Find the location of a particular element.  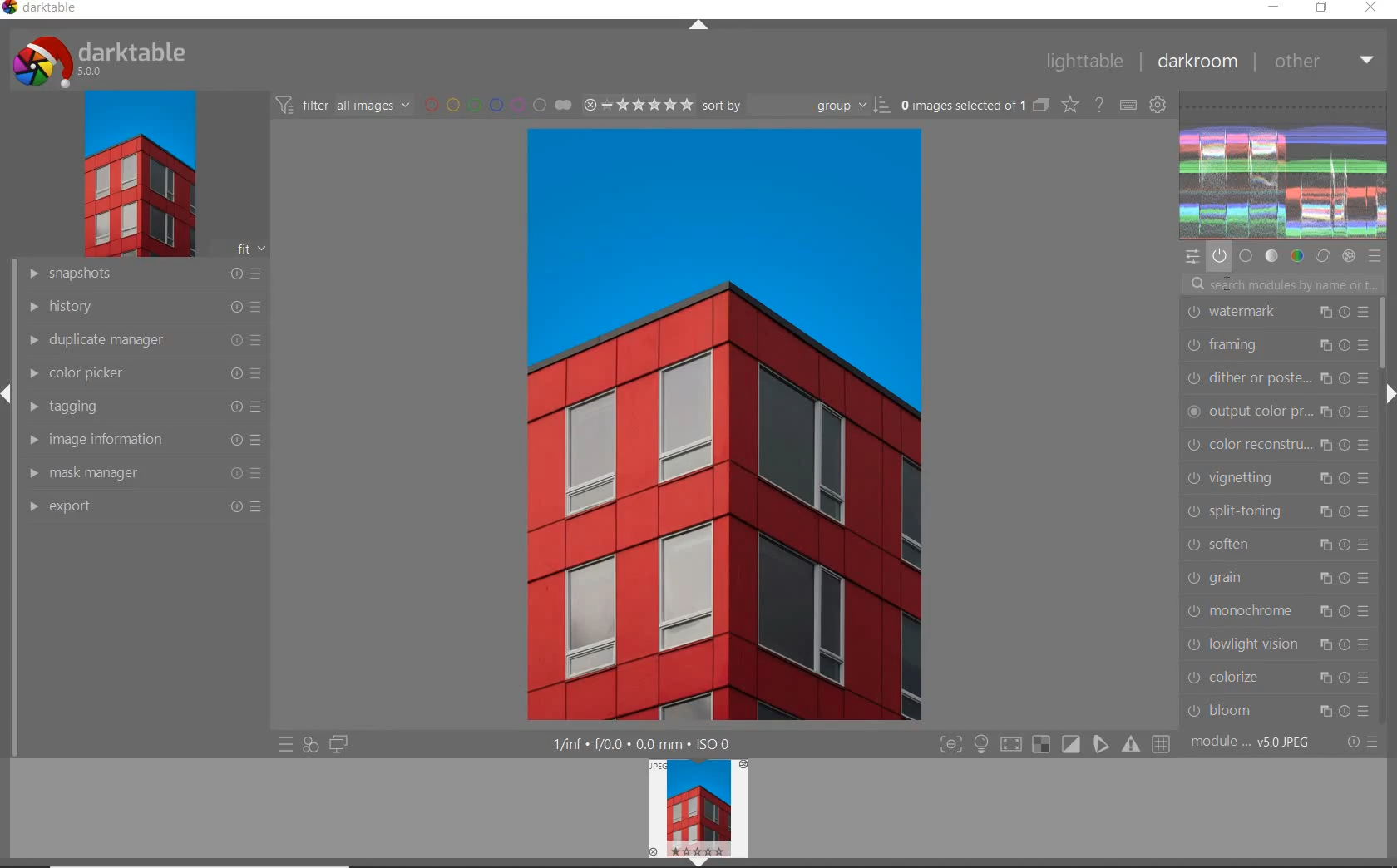

vignetting is located at coordinates (1276, 479).